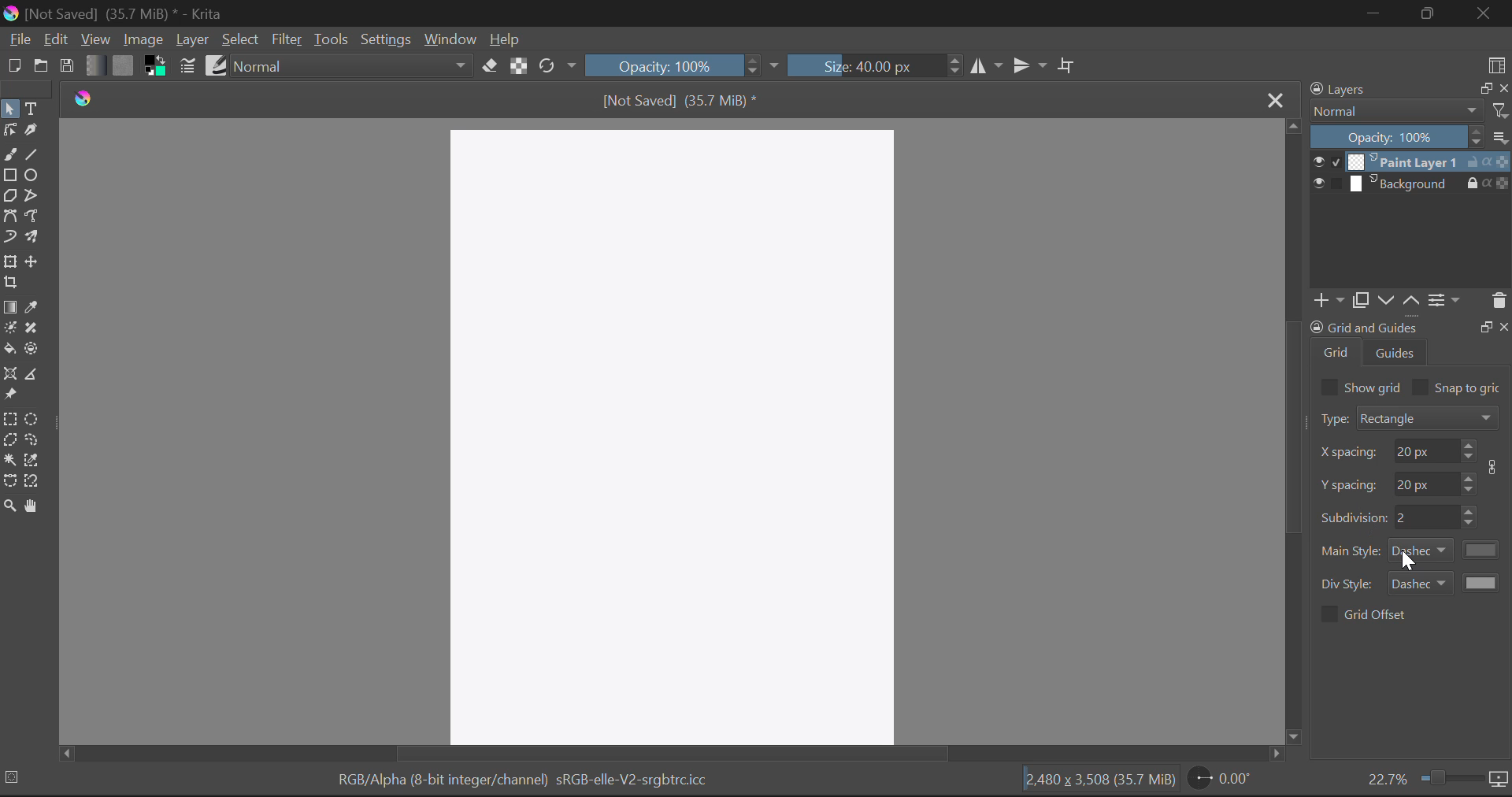 The image size is (1512, 797). What do you see at coordinates (1505, 325) in the screenshot?
I see `` at bounding box center [1505, 325].